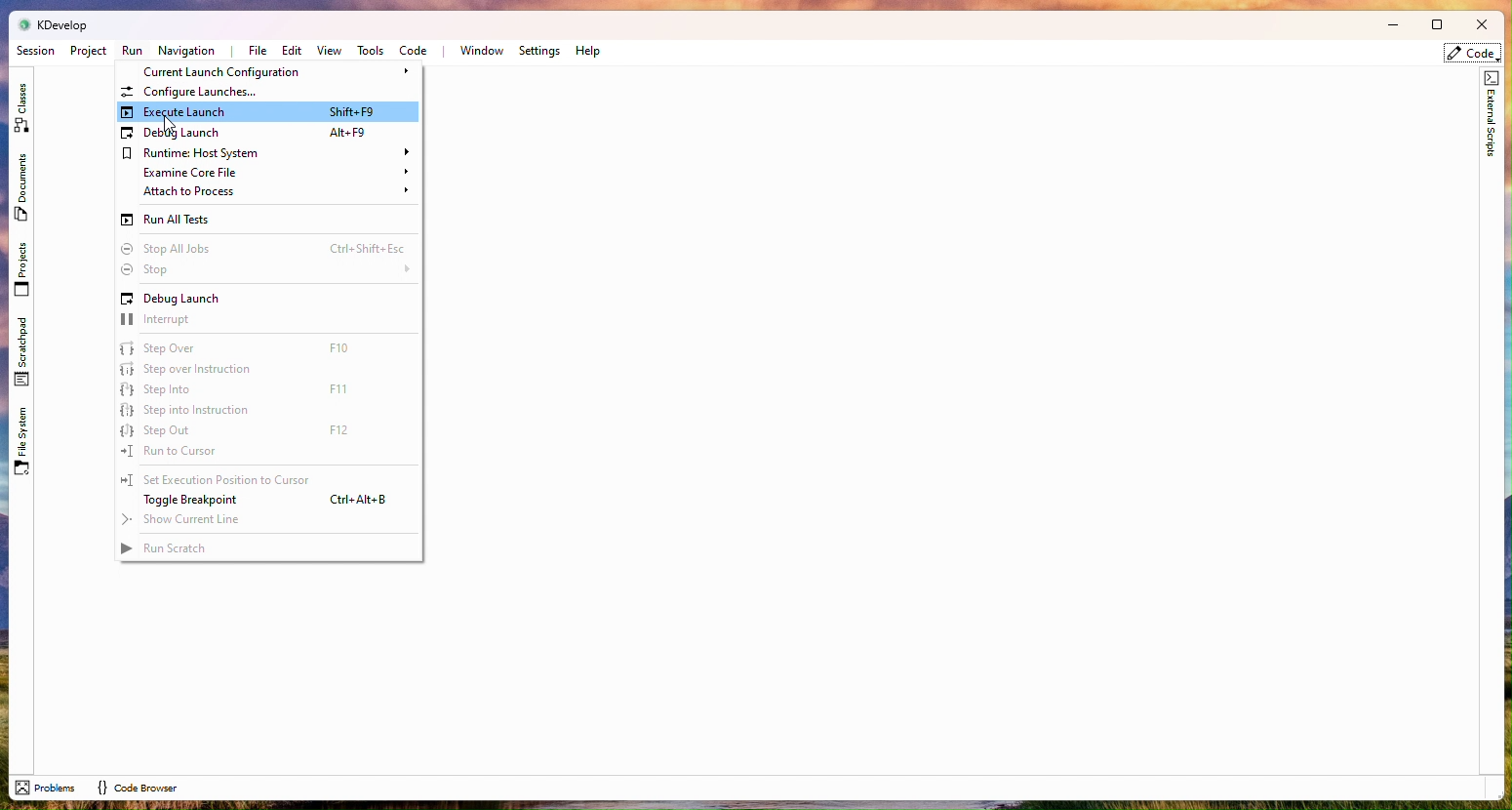 This screenshot has height=810, width=1512. I want to click on Execute launch, so click(263, 112).